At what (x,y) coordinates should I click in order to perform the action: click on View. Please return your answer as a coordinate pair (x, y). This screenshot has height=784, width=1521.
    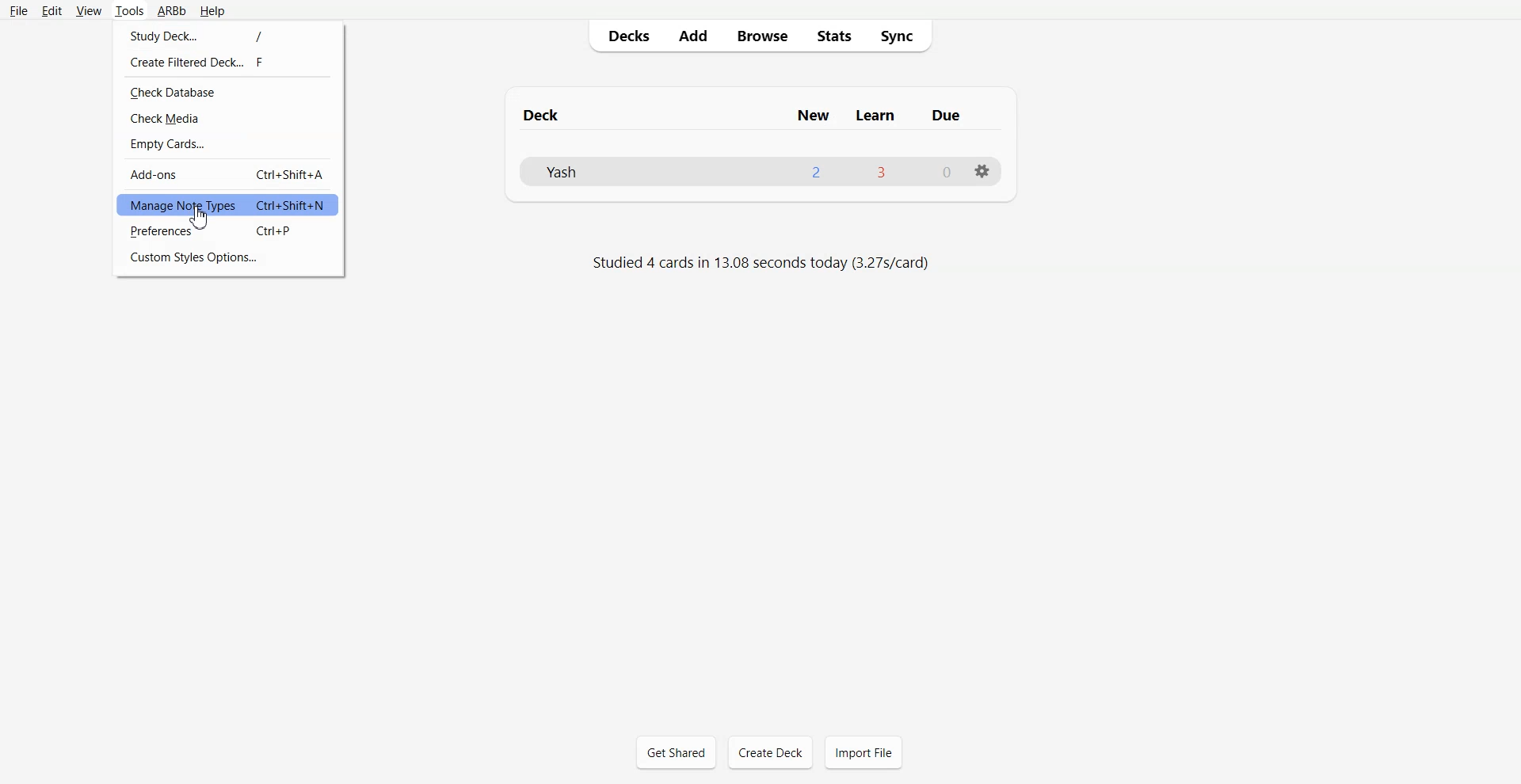
    Looking at the image, I should click on (87, 10).